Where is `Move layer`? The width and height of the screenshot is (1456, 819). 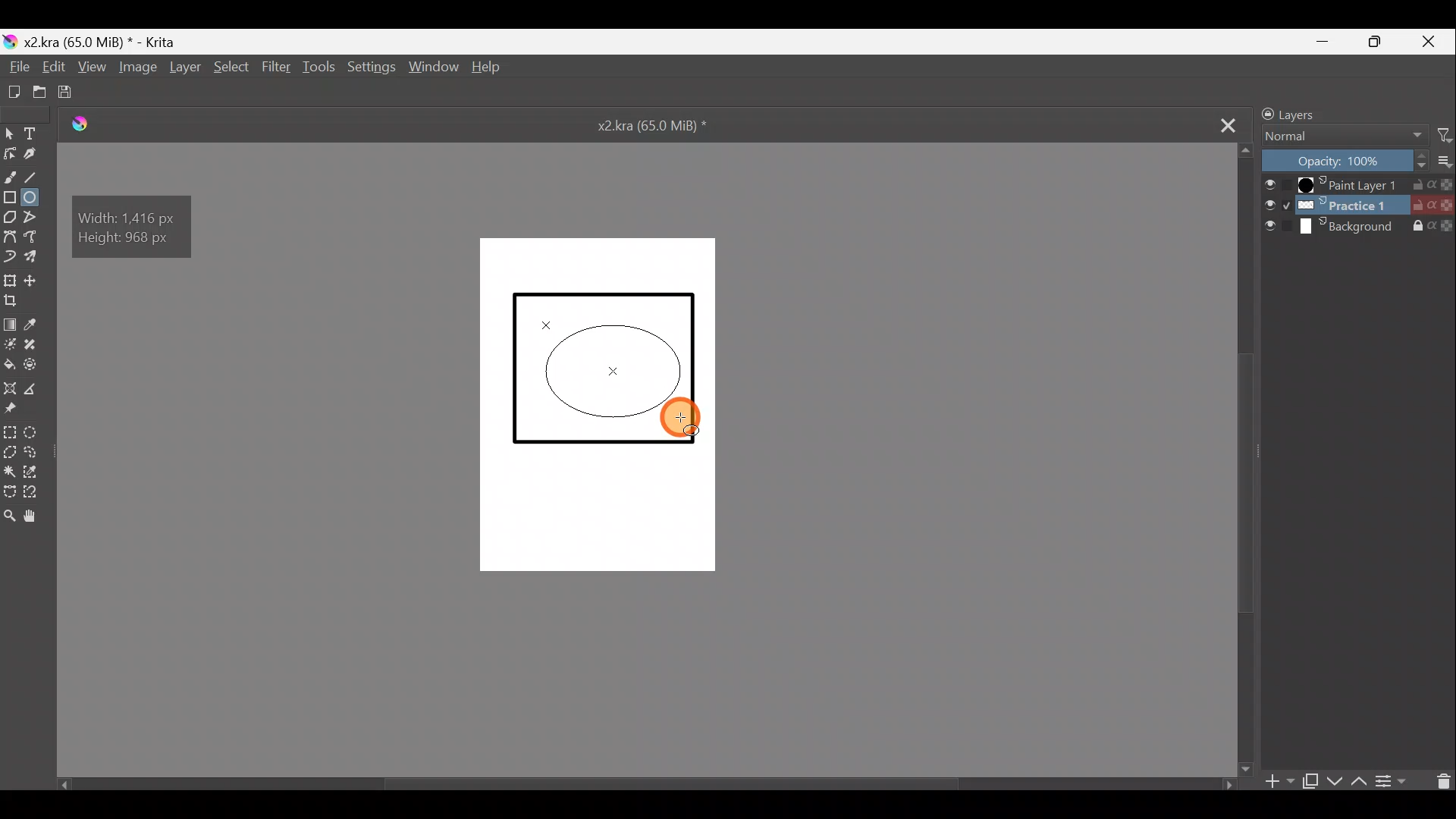 Move layer is located at coordinates (38, 281).